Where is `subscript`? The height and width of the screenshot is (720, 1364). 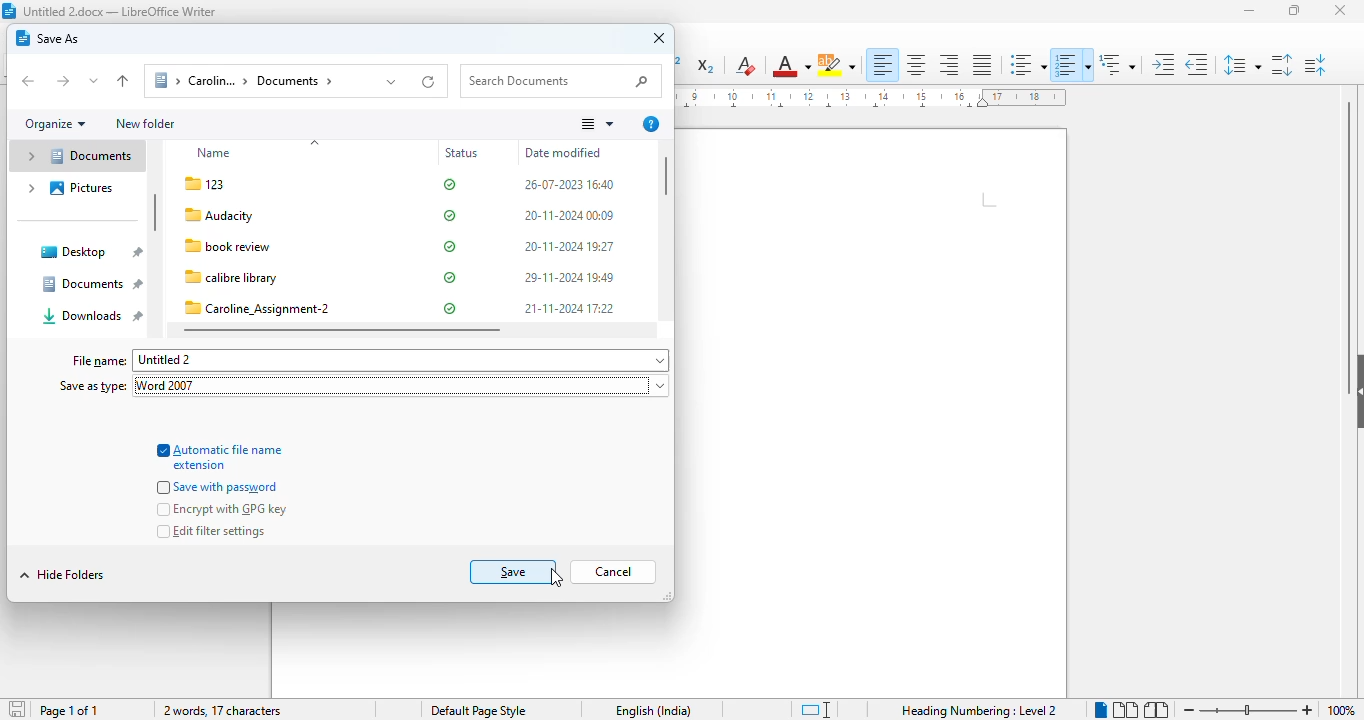 subscript is located at coordinates (707, 67).